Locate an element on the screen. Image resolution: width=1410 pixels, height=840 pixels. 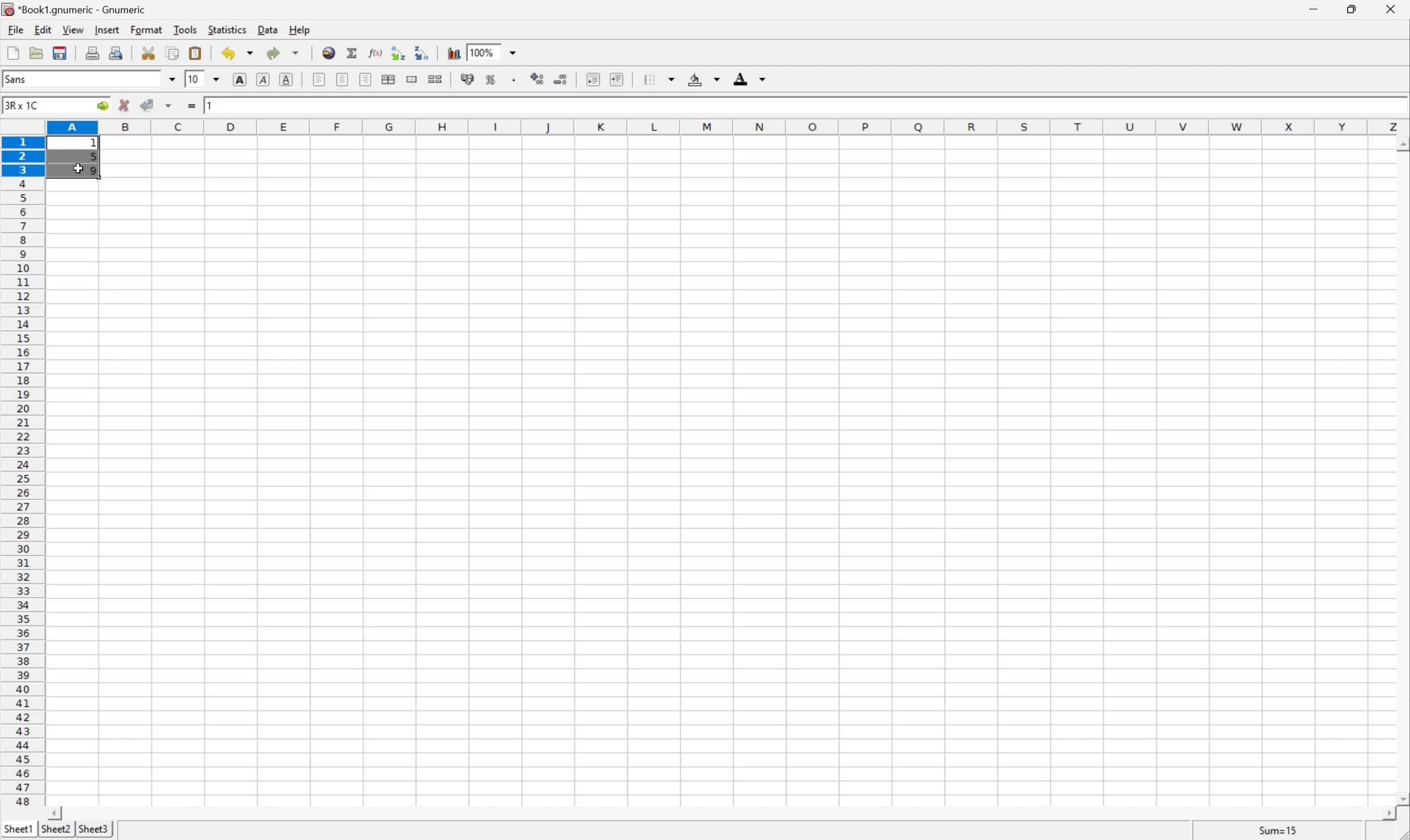
open a file is located at coordinates (35, 51).